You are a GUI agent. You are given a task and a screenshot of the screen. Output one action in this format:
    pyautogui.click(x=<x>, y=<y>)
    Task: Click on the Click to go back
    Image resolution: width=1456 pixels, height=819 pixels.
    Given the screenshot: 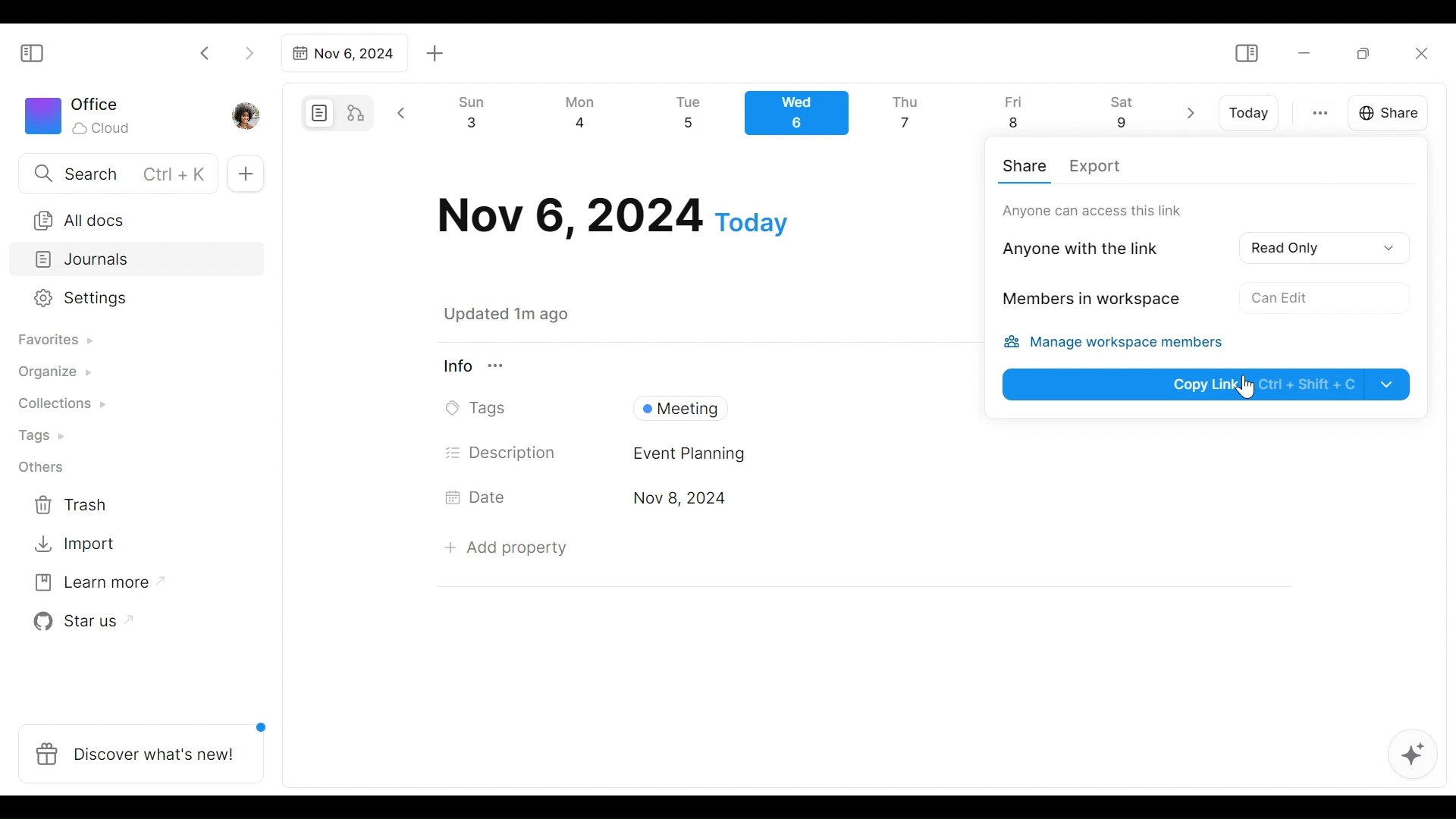 What is the action you would take?
    pyautogui.click(x=206, y=52)
    